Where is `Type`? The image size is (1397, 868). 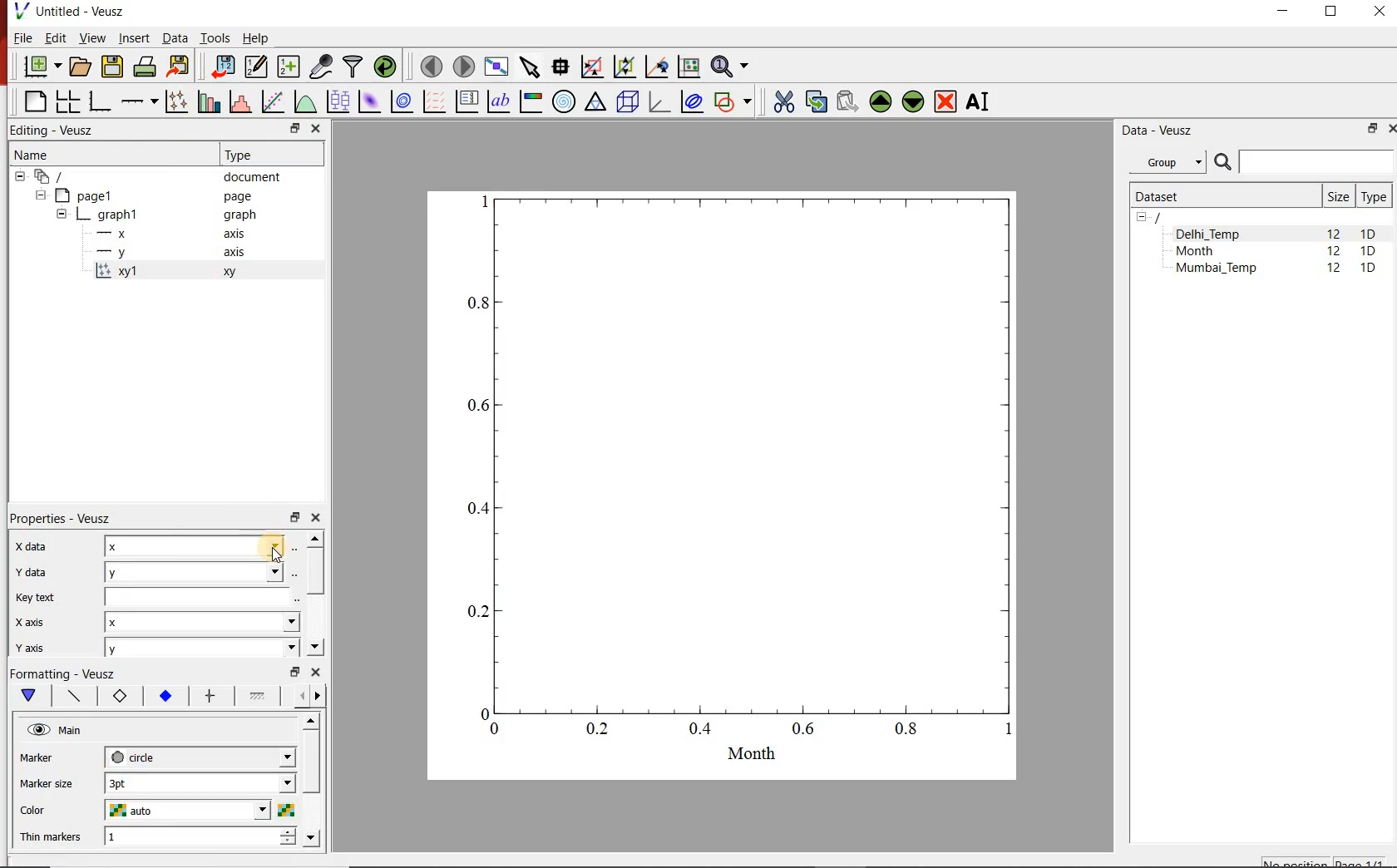
Type is located at coordinates (245, 155).